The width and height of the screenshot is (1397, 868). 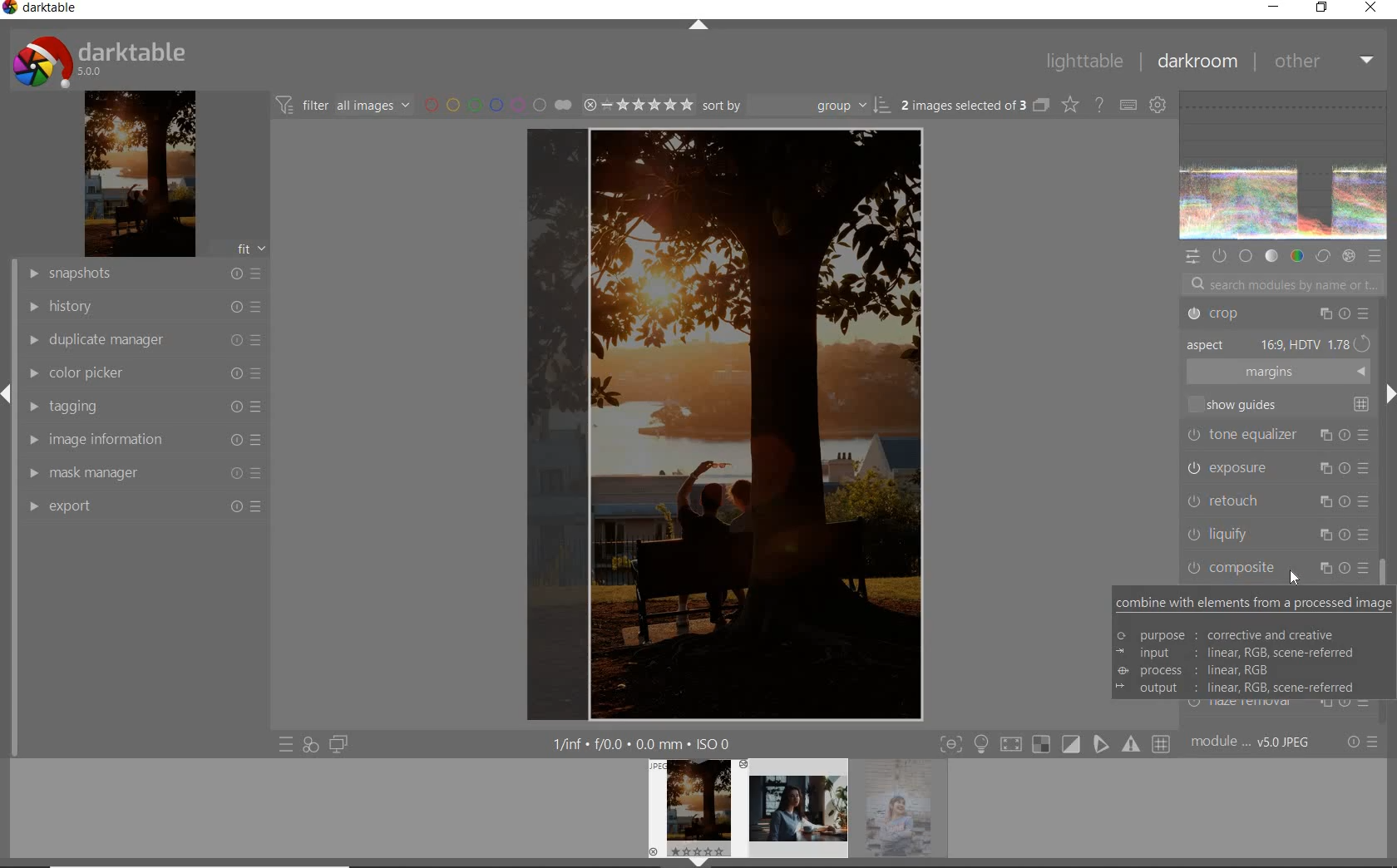 I want to click on collapse grouped images, so click(x=1041, y=106).